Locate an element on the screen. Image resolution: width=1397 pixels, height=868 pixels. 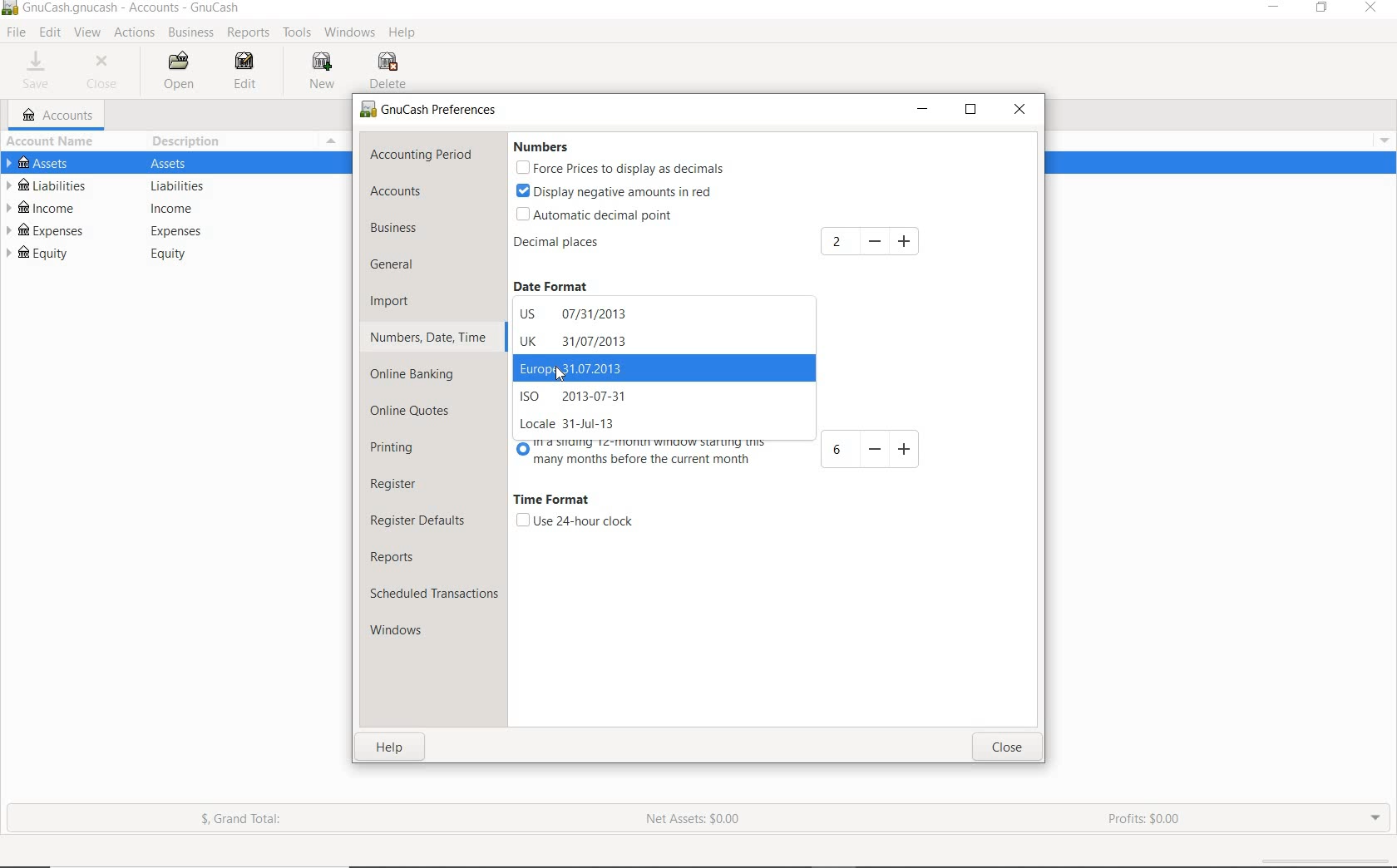
scheduled transactions is located at coordinates (434, 596).